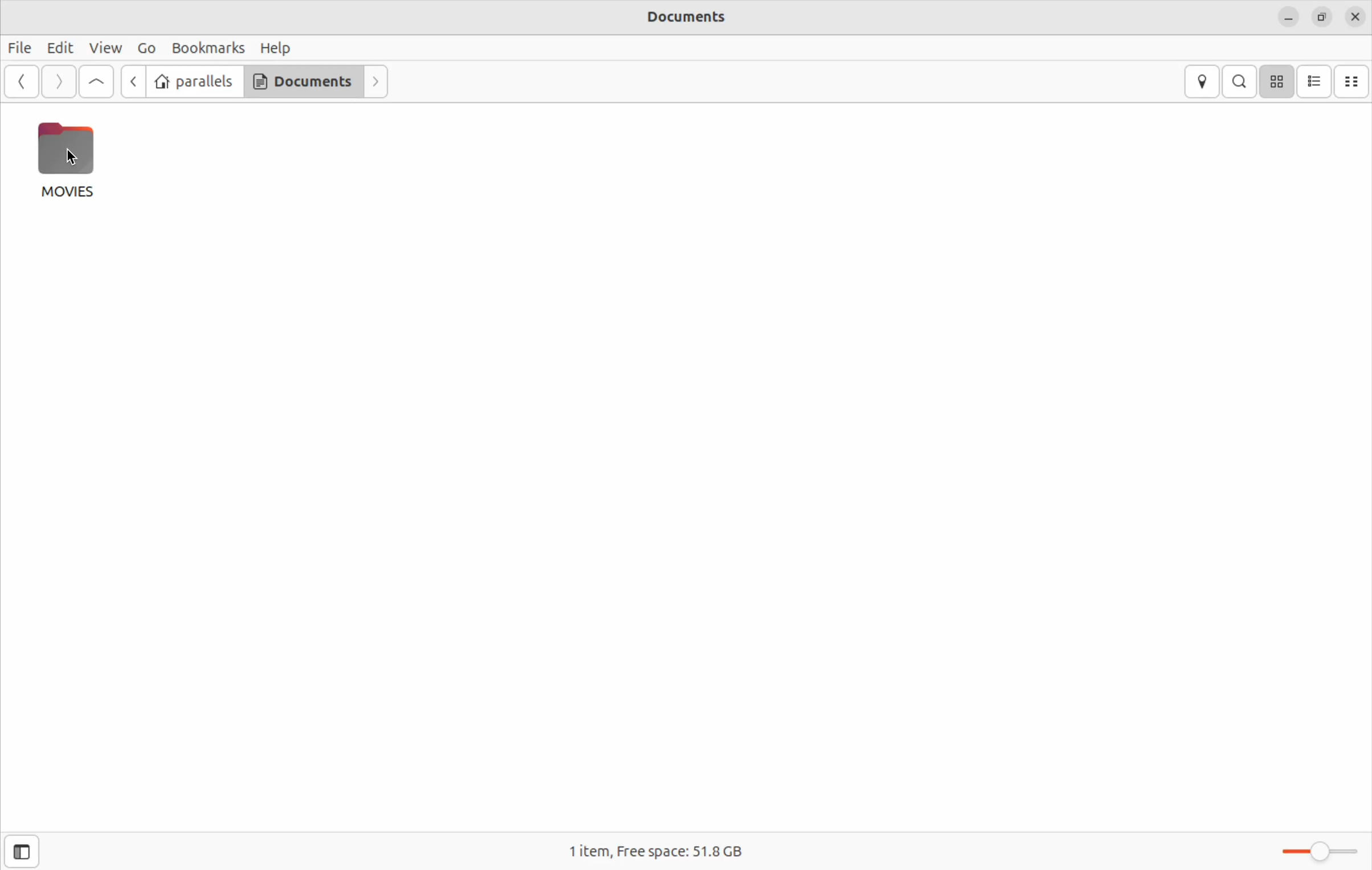 The width and height of the screenshot is (1372, 870). What do you see at coordinates (1241, 82) in the screenshot?
I see `Search ` at bounding box center [1241, 82].